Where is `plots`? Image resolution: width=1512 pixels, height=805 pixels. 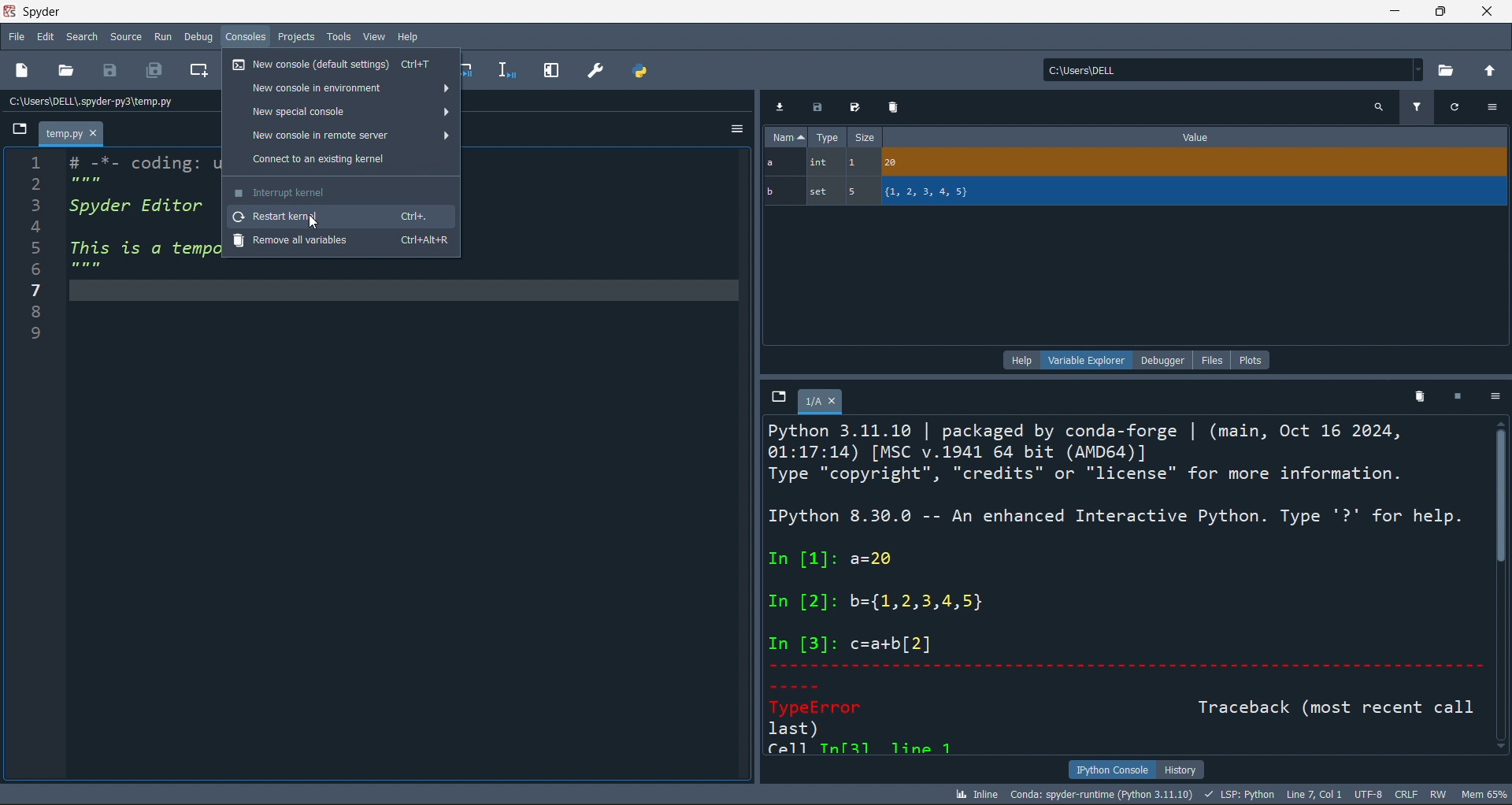 plots is located at coordinates (1255, 360).